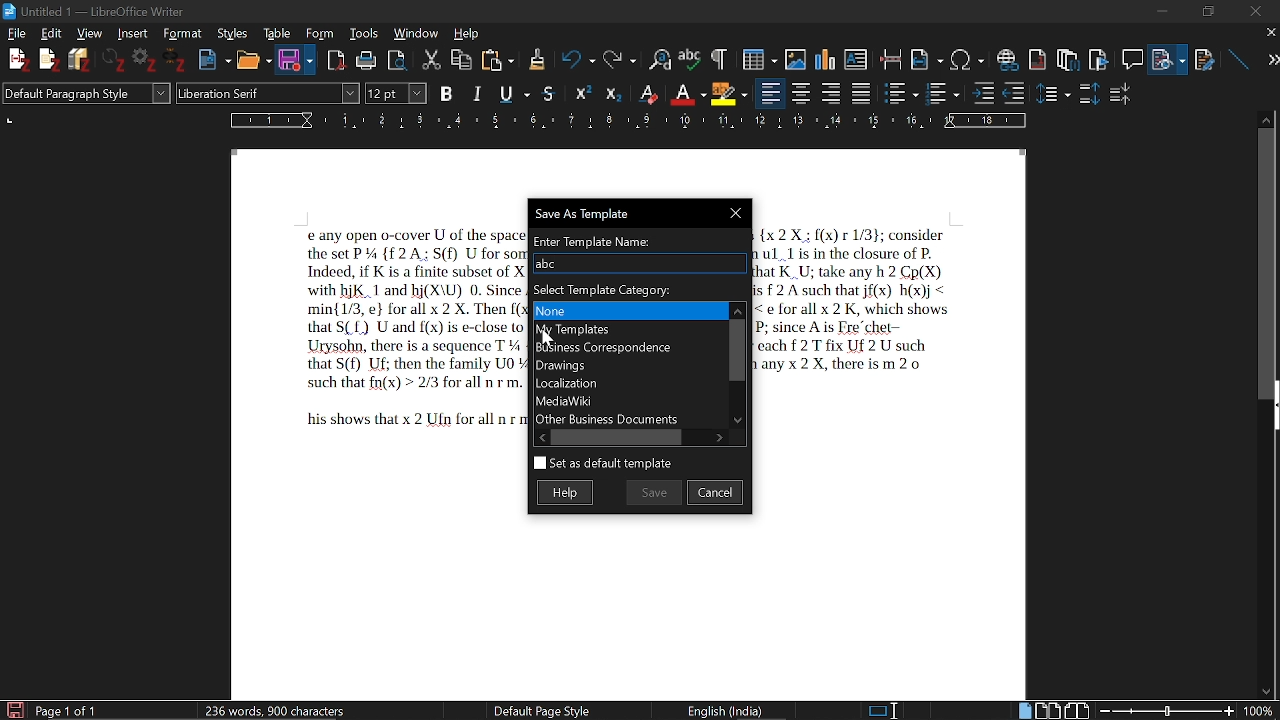  Describe the element at coordinates (716, 491) in the screenshot. I see `Cancel` at that location.